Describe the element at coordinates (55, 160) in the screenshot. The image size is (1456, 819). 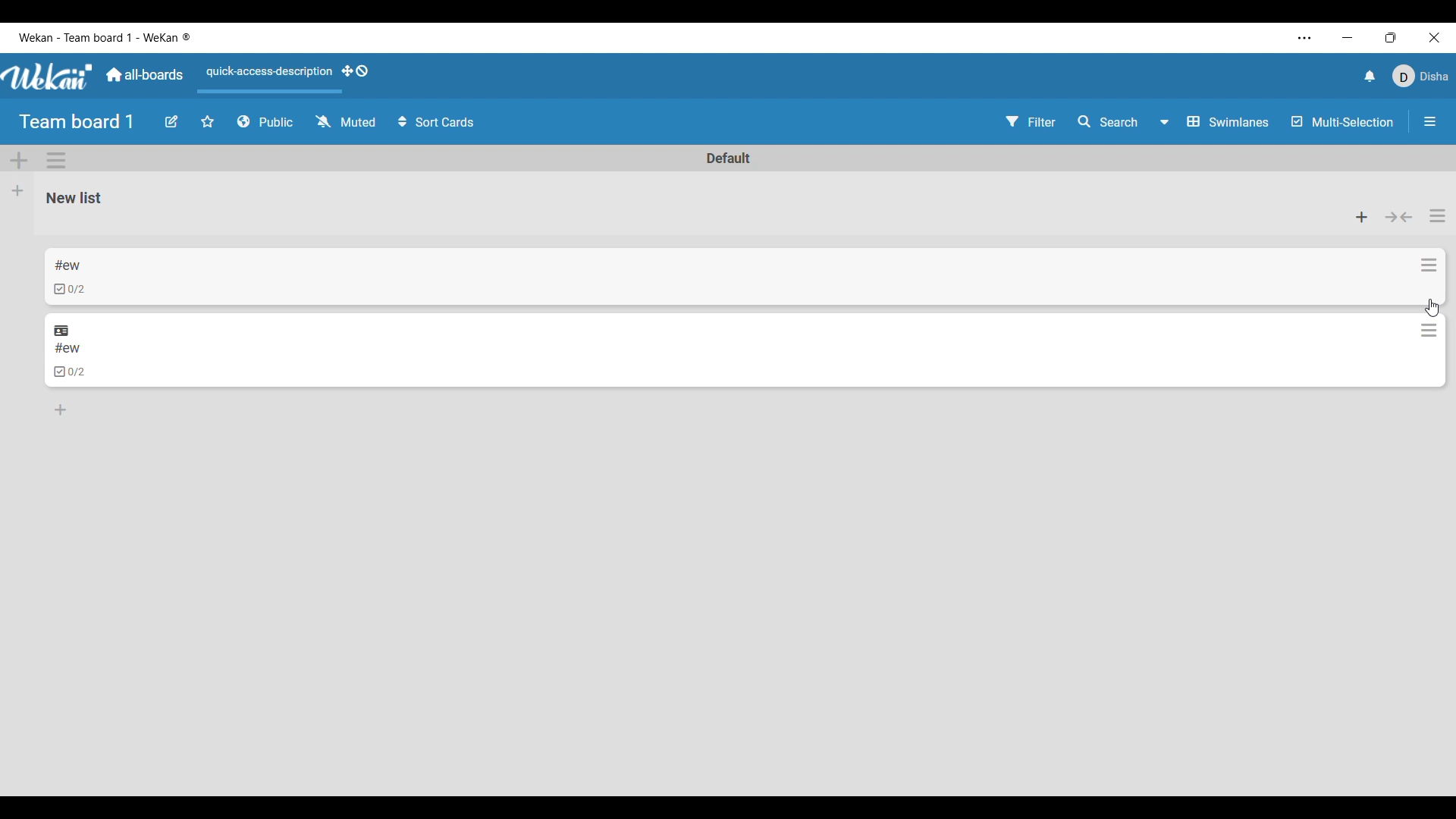
I see `Swimlane action` at that location.